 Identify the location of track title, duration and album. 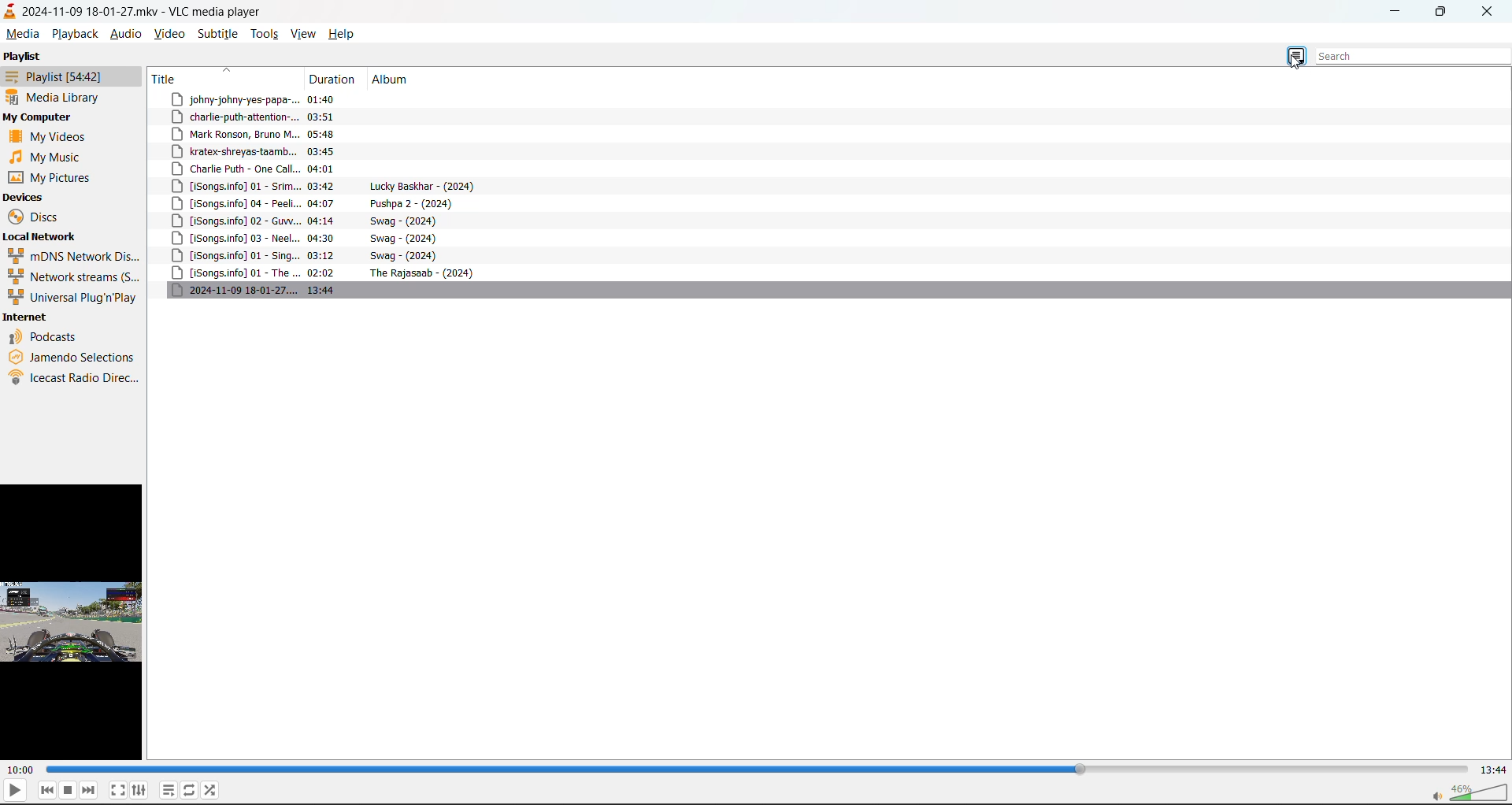
(327, 135).